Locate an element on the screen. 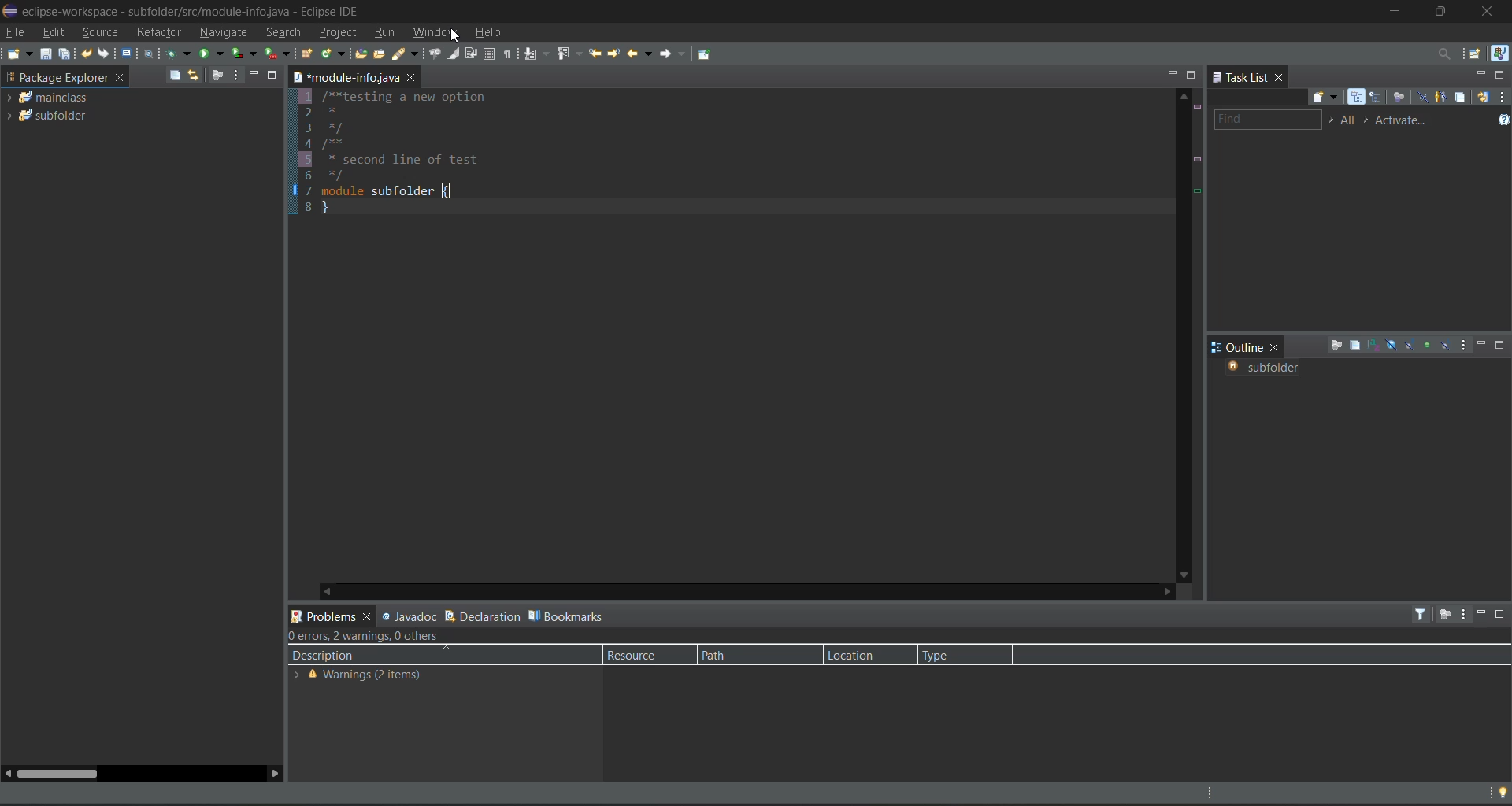 The height and width of the screenshot is (806, 1512). resource is located at coordinates (644, 655).